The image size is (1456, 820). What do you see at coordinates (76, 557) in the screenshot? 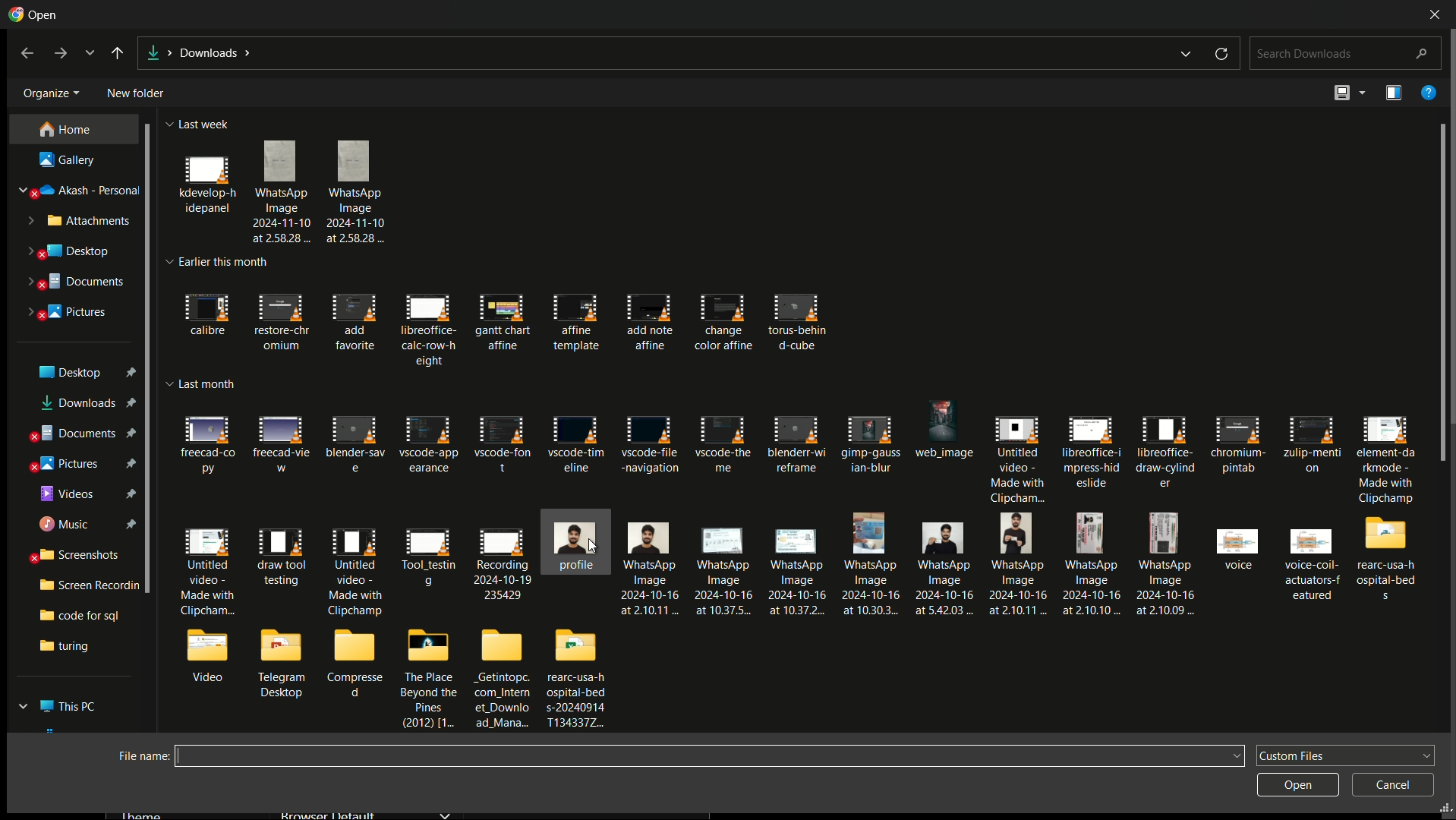
I see `screenshots` at bounding box center [76, 557].